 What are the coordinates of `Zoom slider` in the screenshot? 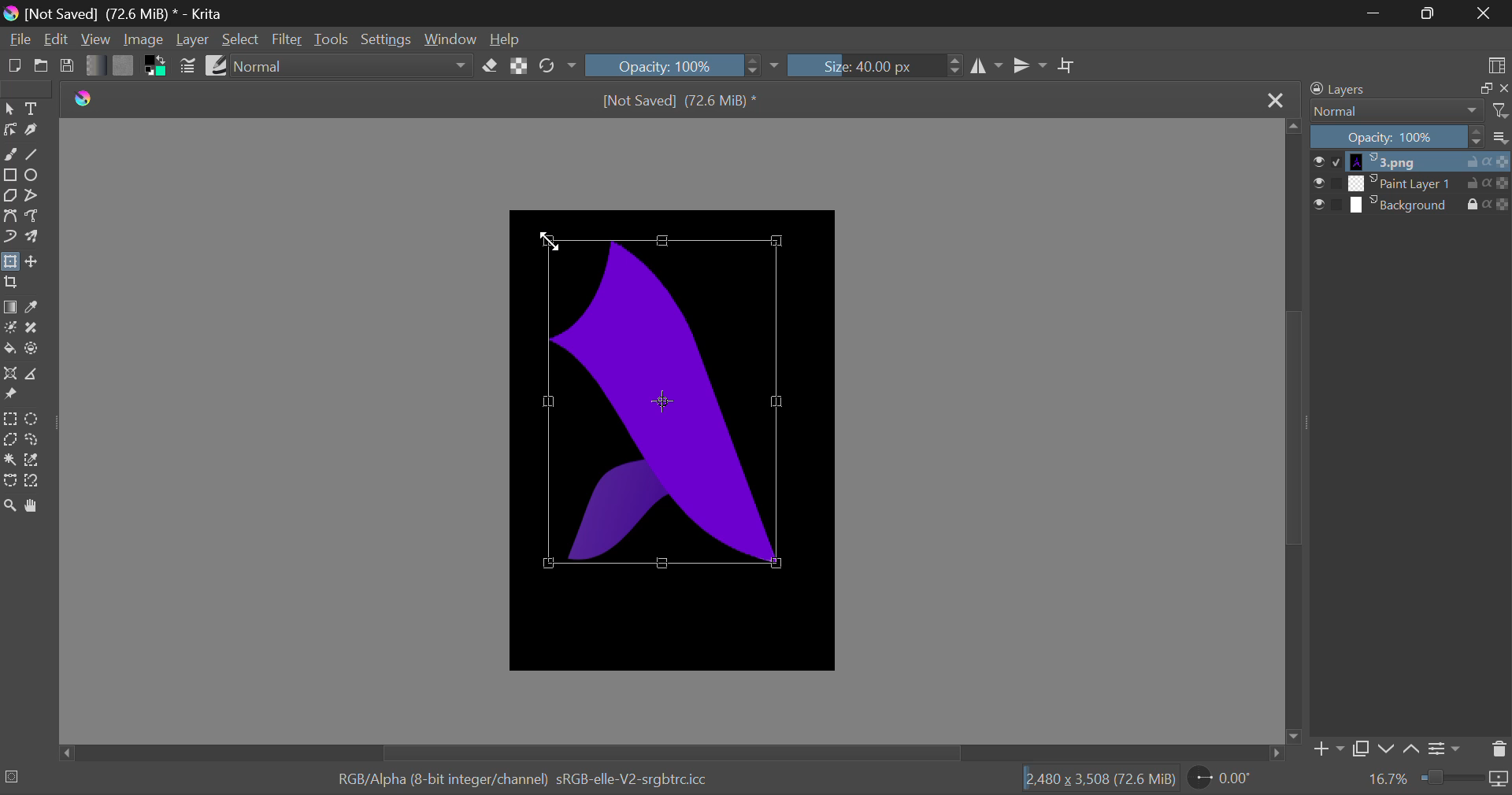 It's located at (1451, 777).